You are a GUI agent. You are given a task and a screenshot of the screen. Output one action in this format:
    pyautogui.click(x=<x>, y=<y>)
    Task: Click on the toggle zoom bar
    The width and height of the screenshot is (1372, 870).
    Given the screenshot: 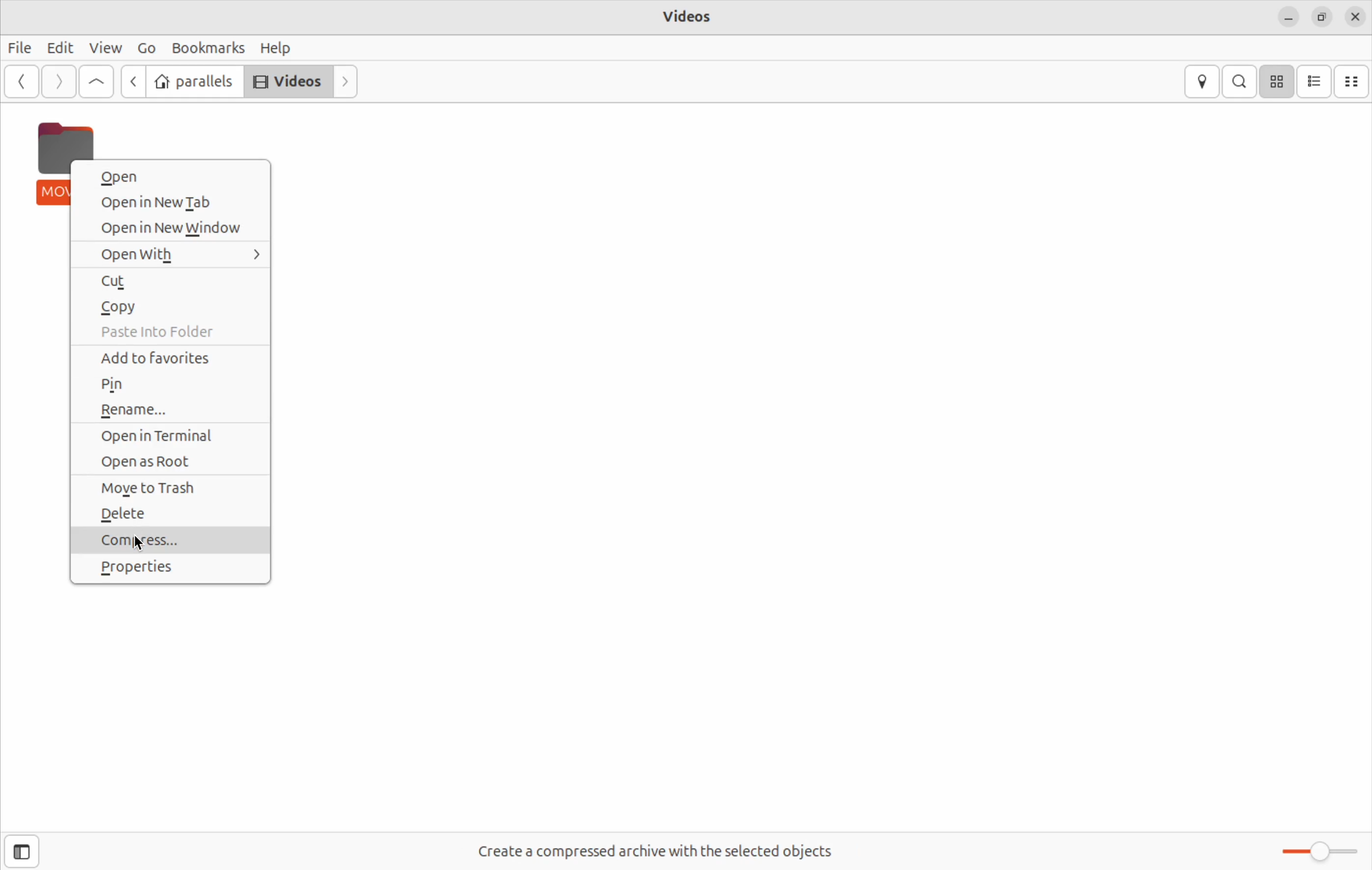 What is the action you would take?
    pyautogui.click(x=1313, y=849)
    